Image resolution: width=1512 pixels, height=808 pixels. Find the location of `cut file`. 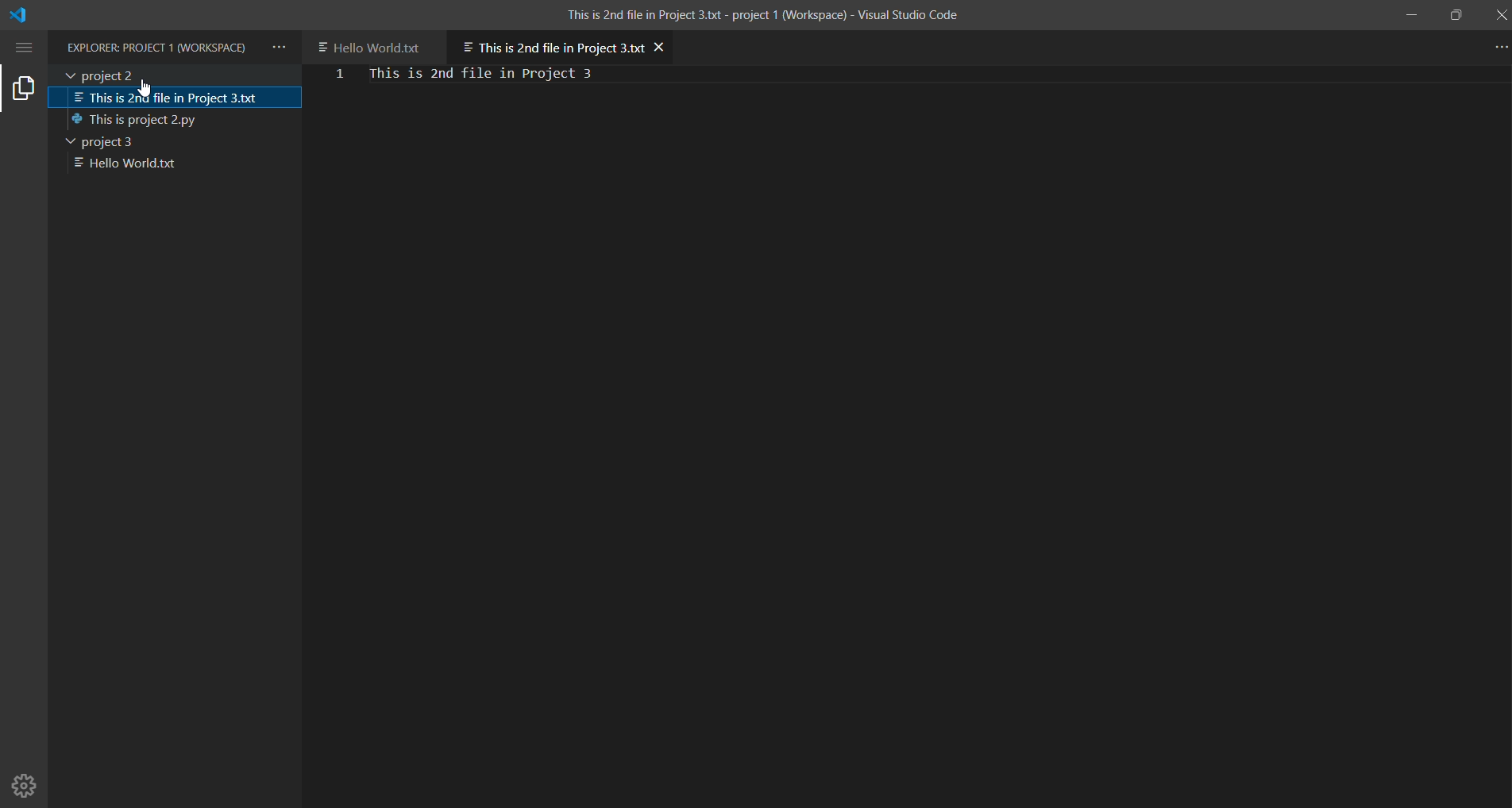

cut file is located at coordinates (168, 141).